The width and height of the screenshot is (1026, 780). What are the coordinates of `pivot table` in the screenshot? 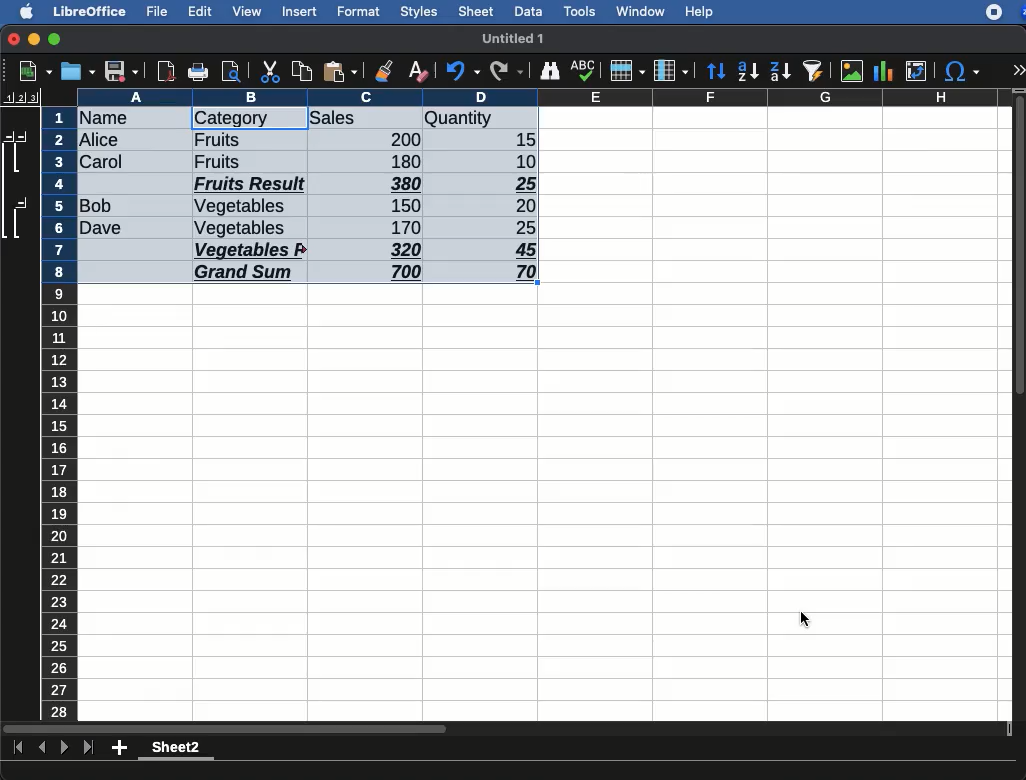 It's located at (916, 71).